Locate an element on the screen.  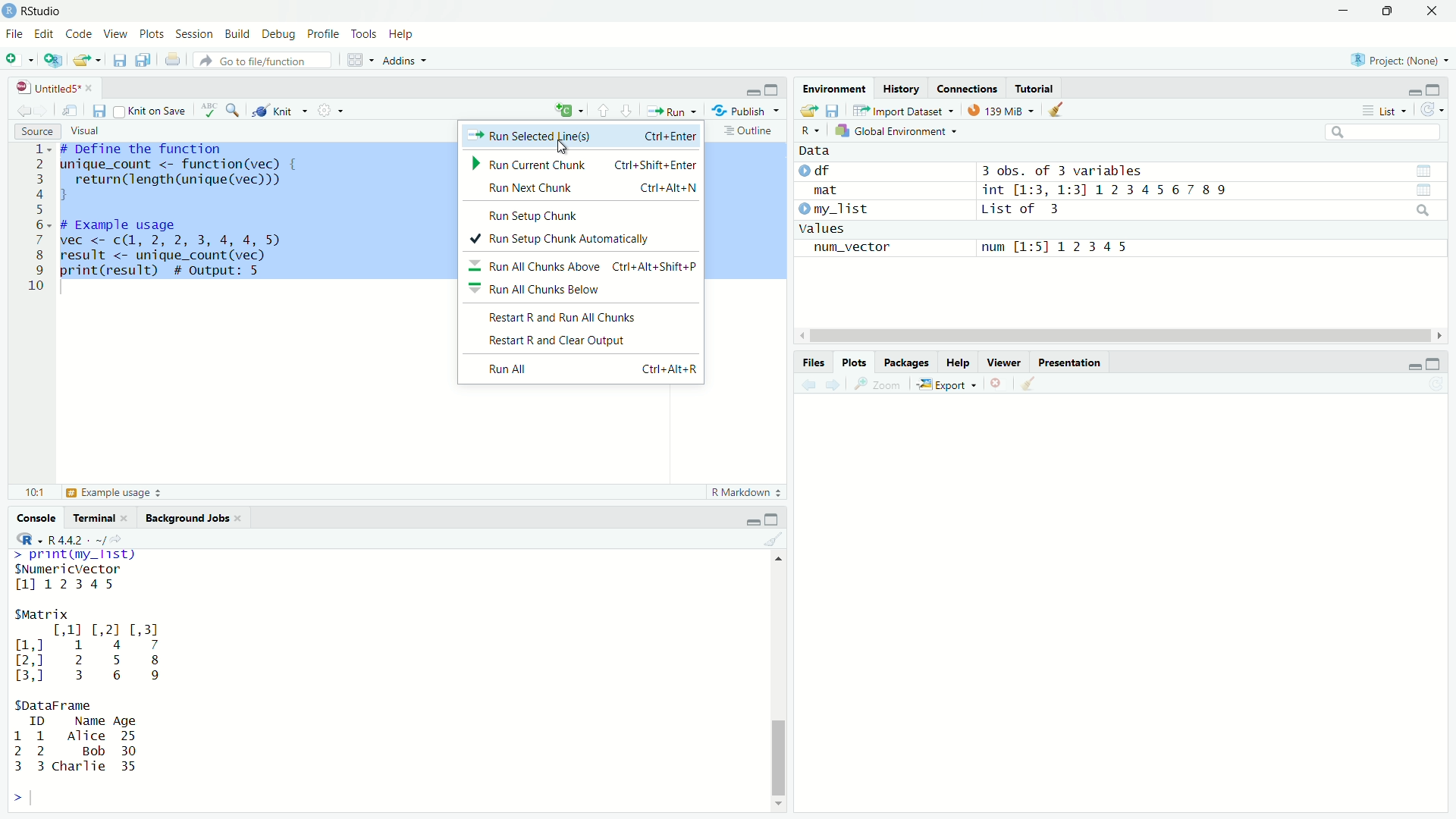
R dropdown is located at coordinates (814, 127).